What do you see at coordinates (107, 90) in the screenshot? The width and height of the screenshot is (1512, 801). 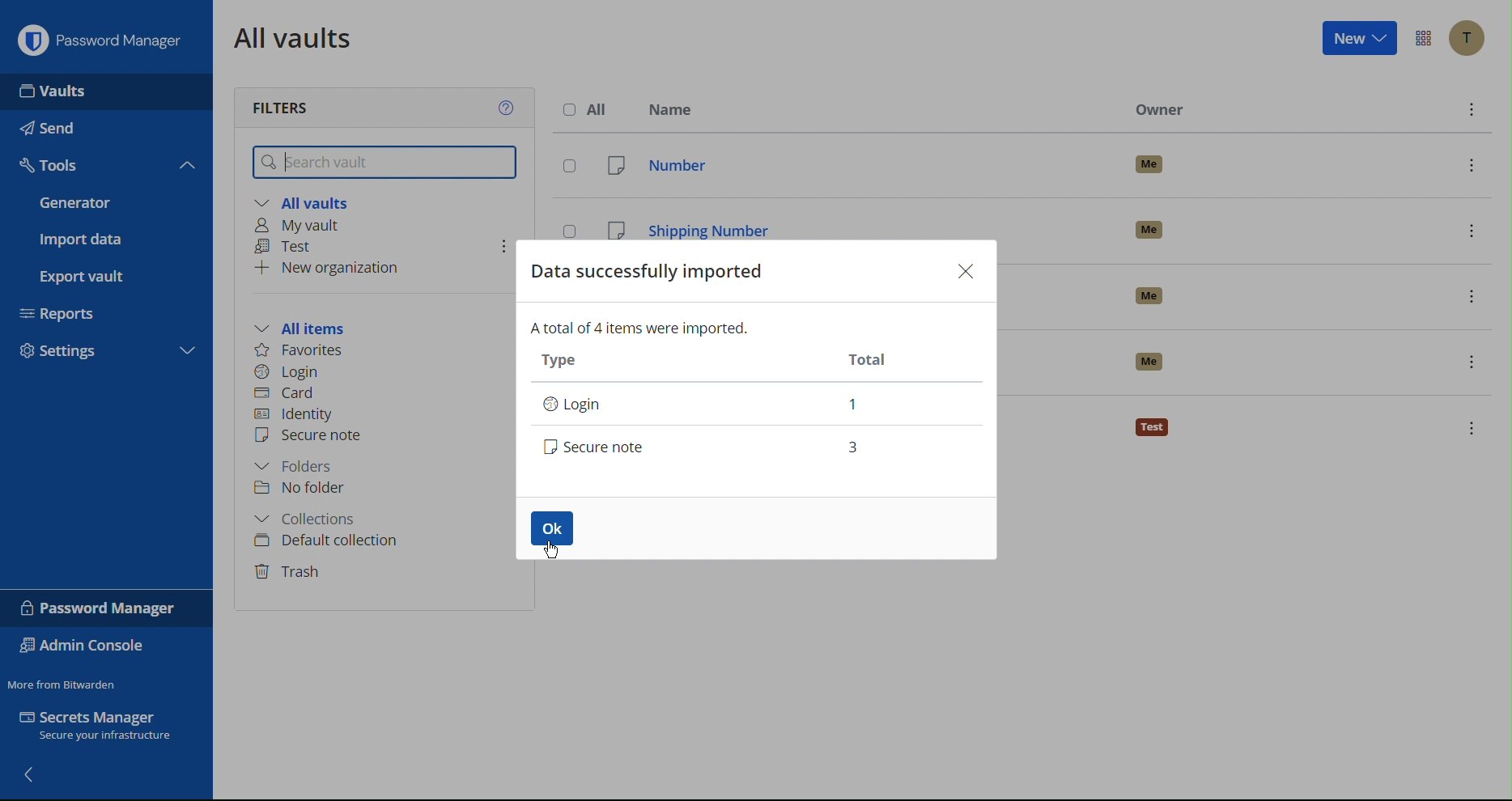 I see `Vaults` at bounding box center [107, 90].